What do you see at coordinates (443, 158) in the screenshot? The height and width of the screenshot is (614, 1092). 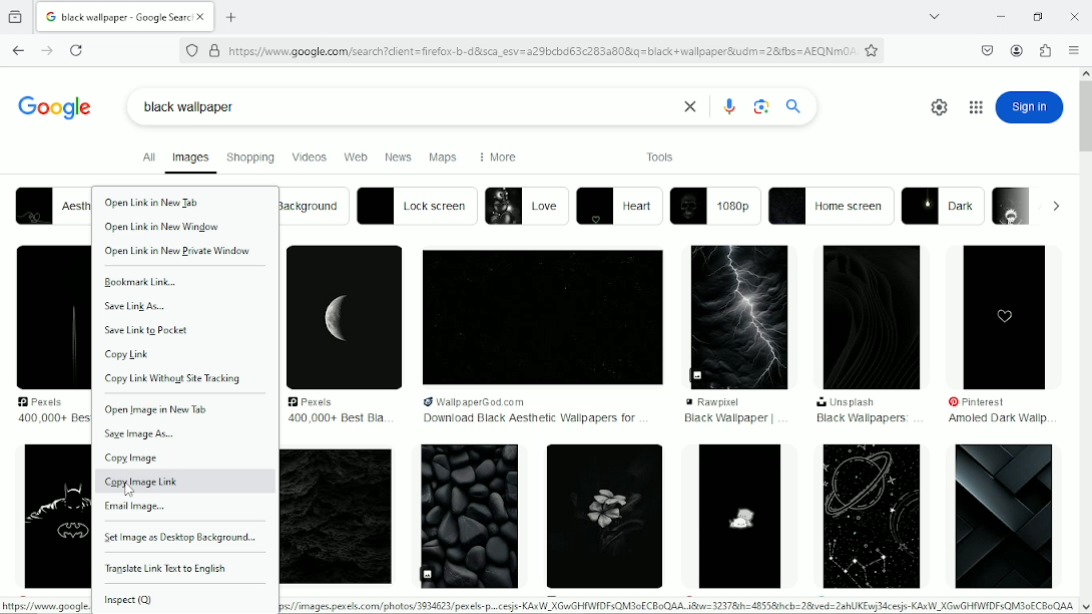 I see `maps` at bounding box center [443, 158].